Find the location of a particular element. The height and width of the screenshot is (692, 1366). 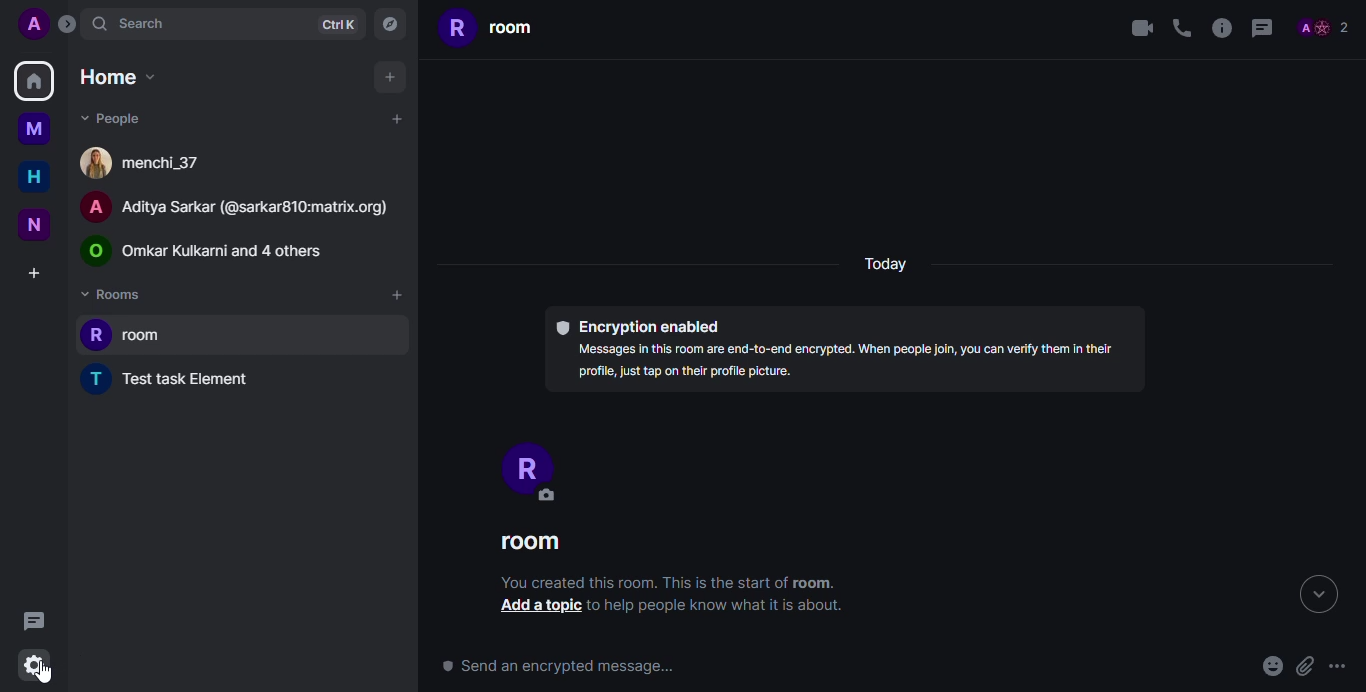

home dropdown is located at coordinates (118, 76).